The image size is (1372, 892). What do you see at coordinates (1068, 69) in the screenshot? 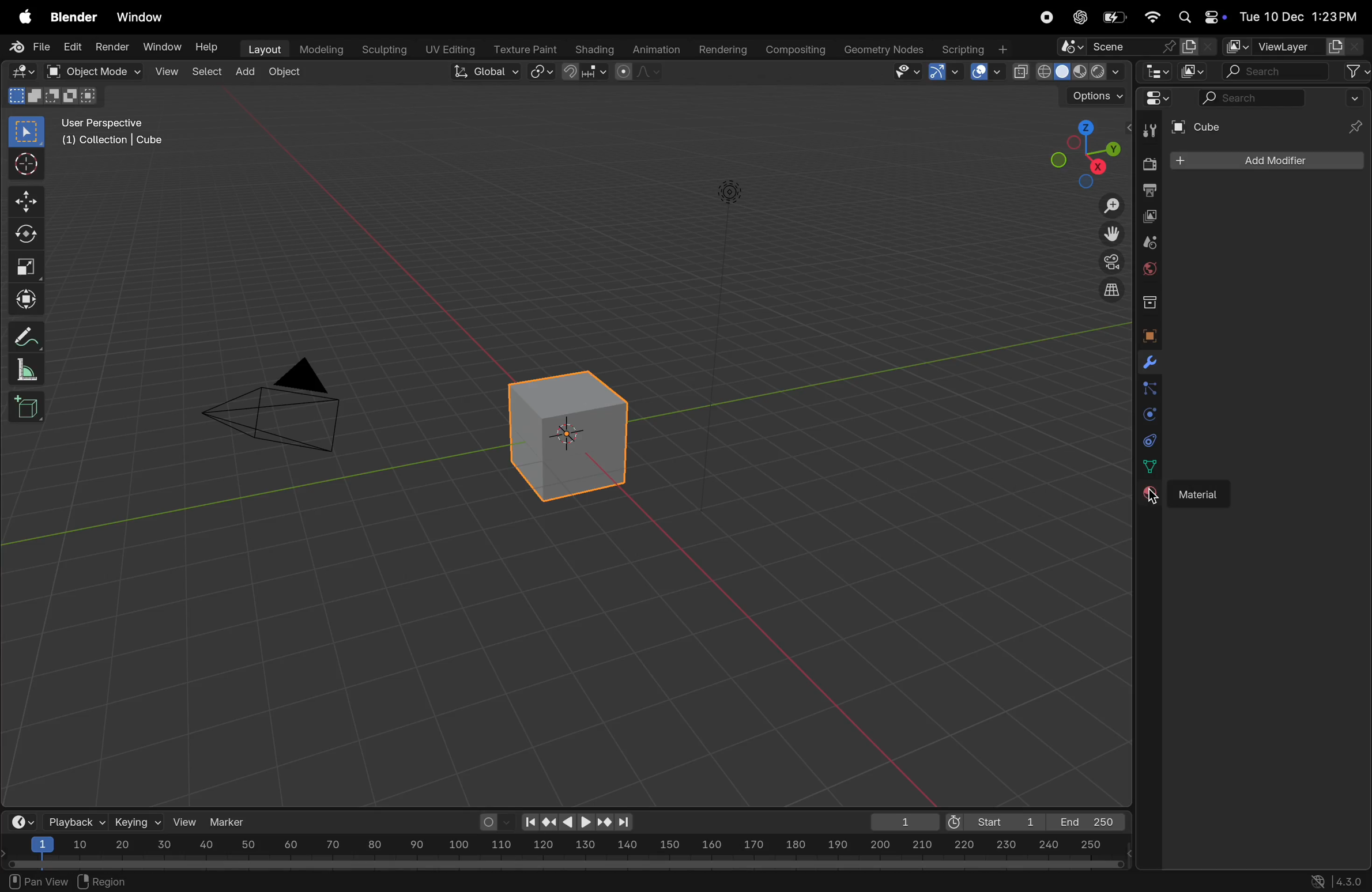
I see `viewport shading` at bounding box center [1068, 69].